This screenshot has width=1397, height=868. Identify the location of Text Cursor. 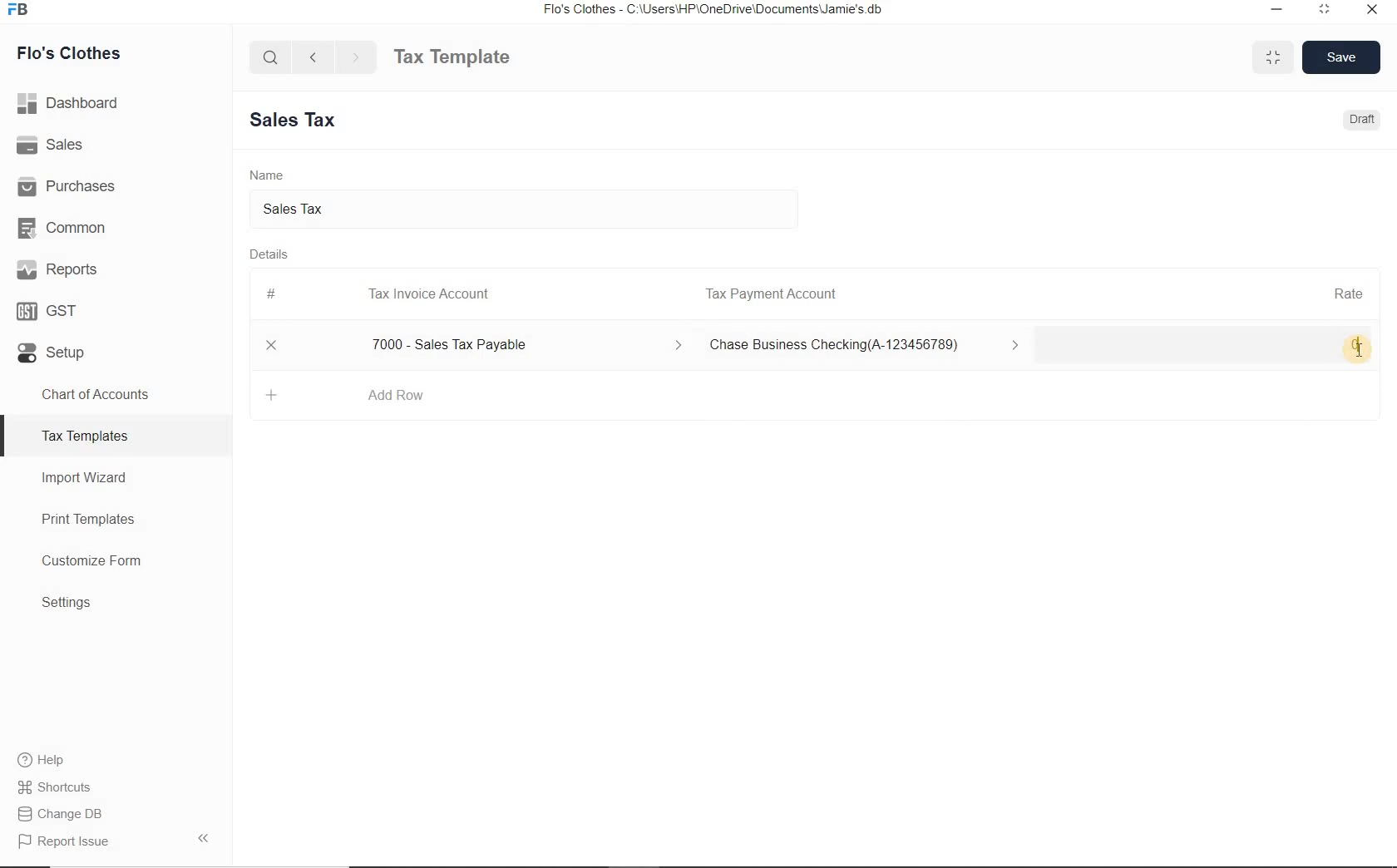
(1359, 352).